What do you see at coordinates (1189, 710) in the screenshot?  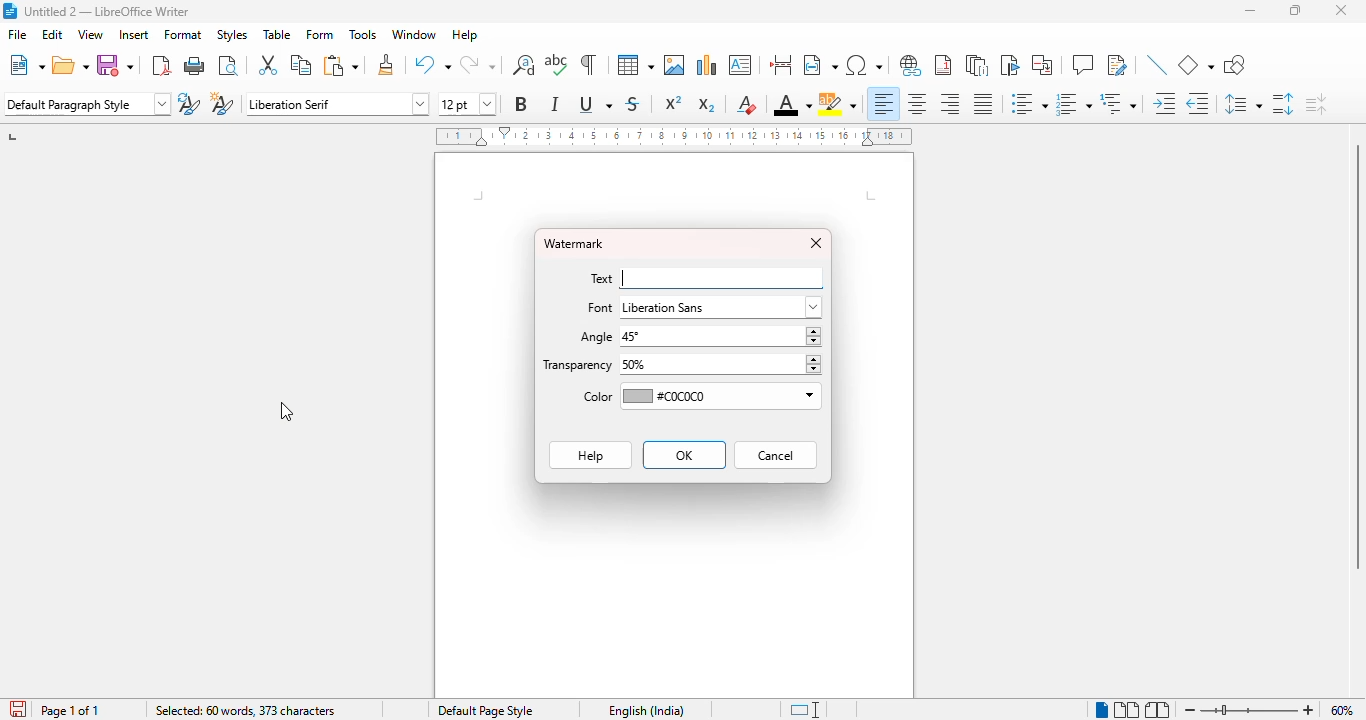 I see `zoom out` at bounding box center [1189, 710].